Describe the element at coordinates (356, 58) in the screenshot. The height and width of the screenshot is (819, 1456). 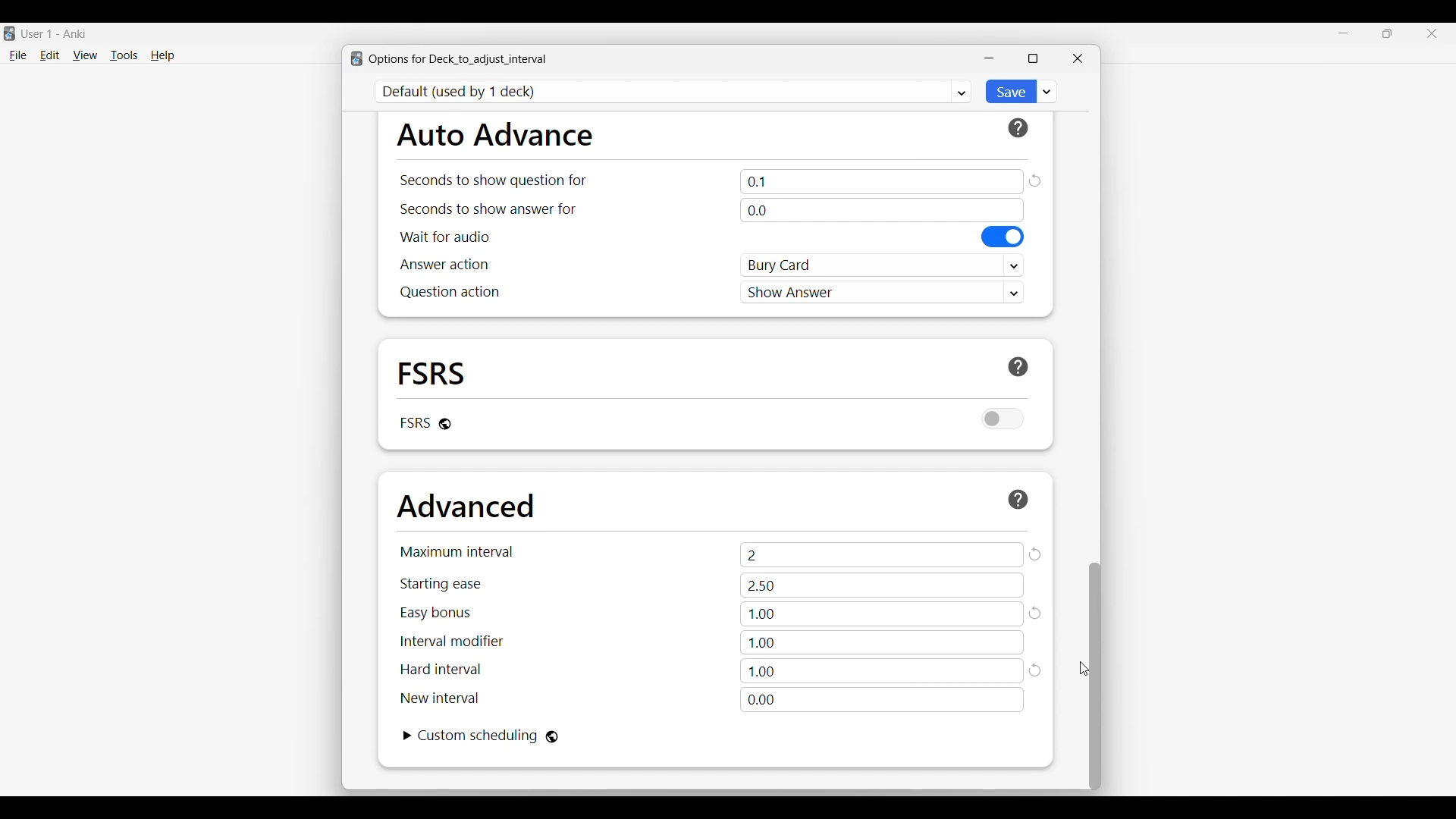
I see `Software logo` at that location.